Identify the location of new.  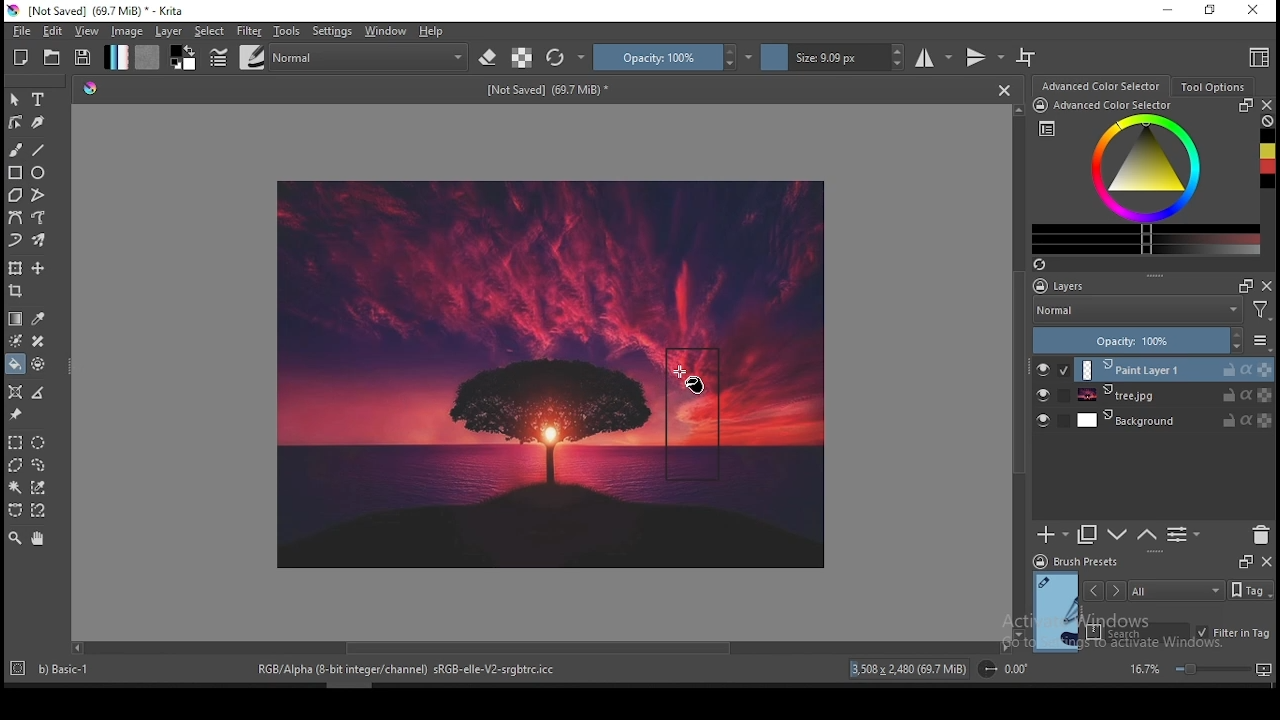
(22, 57).